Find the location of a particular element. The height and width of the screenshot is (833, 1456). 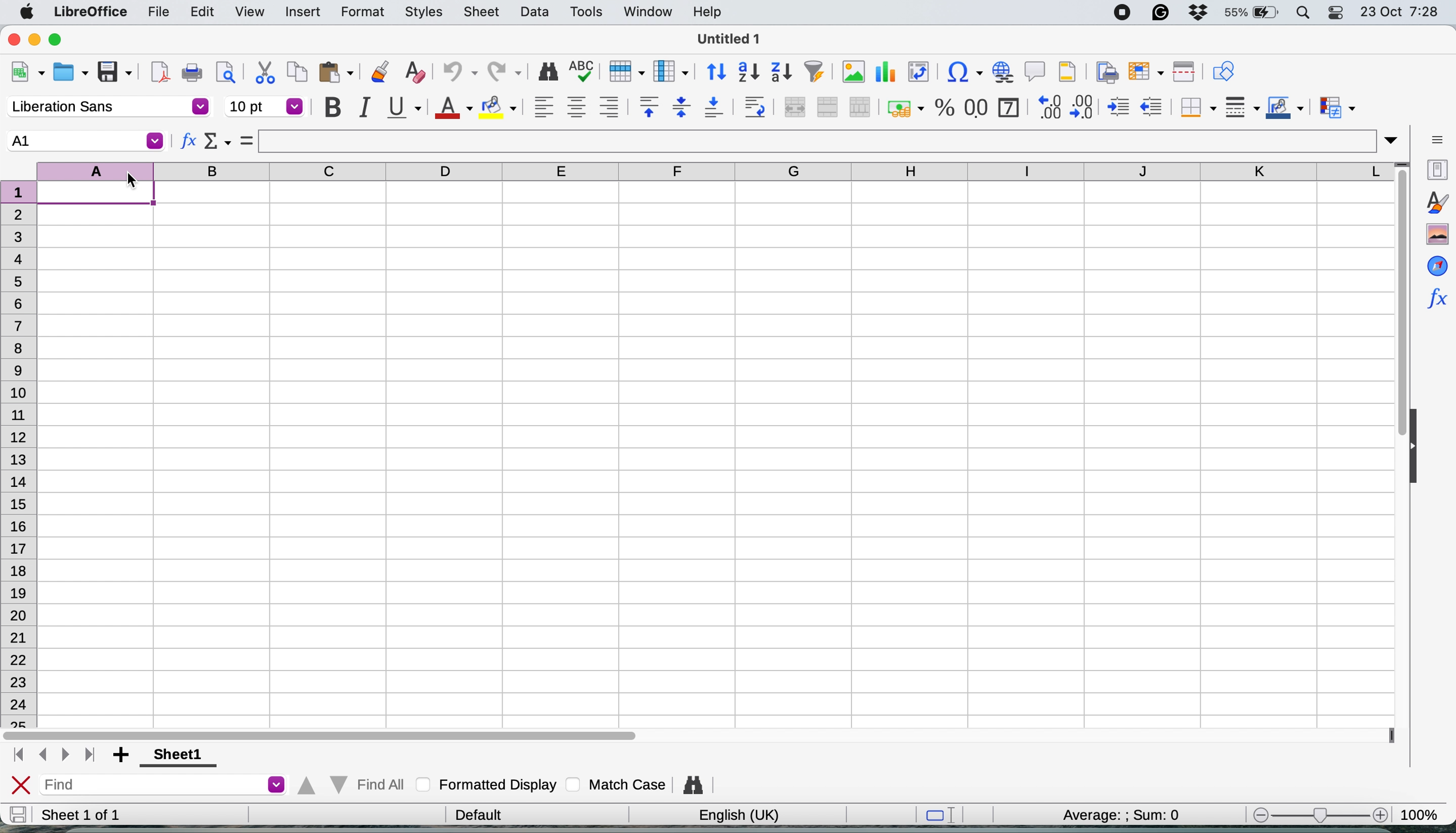

edit is located at coordinates (202, 13).